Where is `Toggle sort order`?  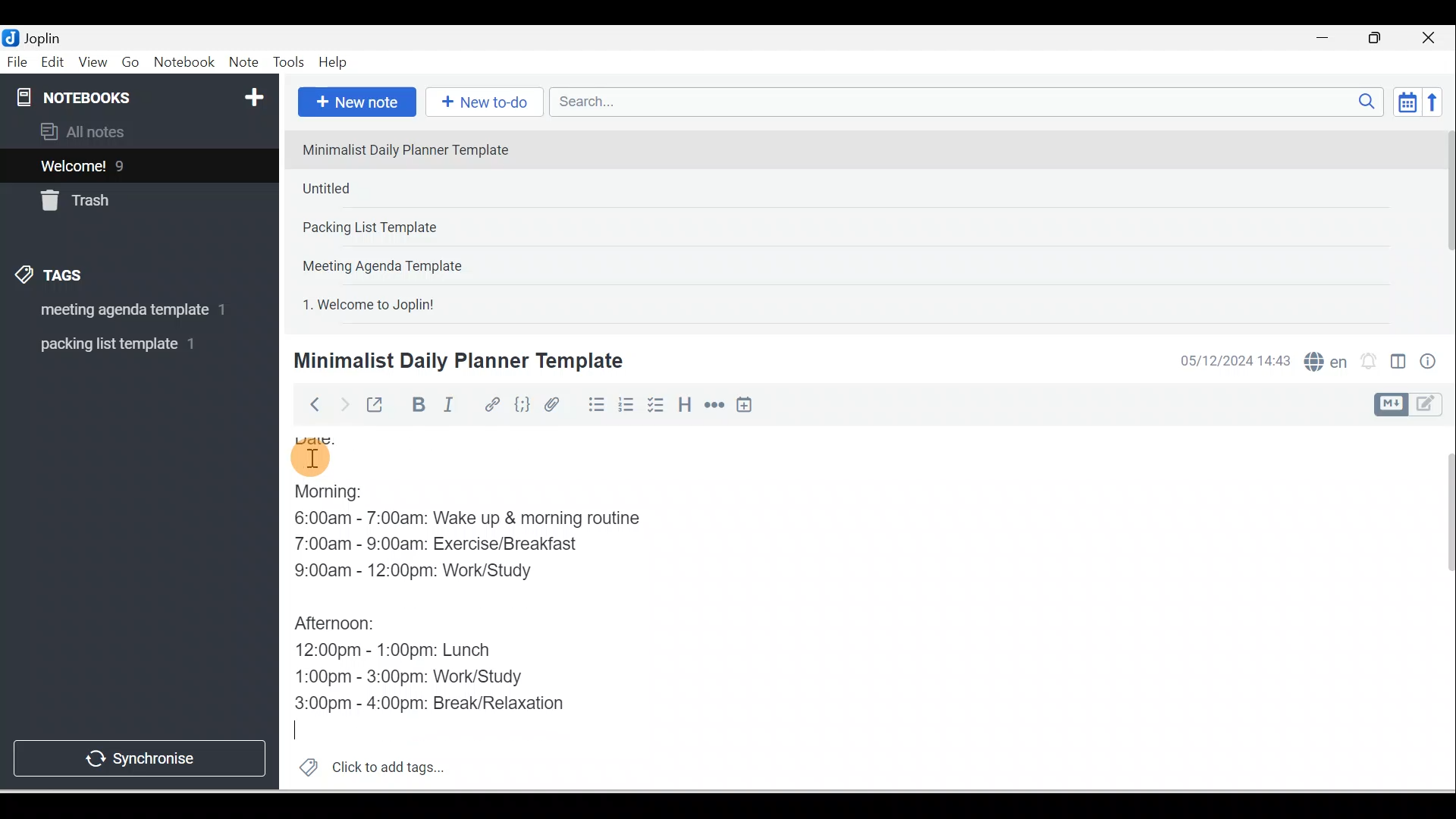
Toggle sort order is located at coordinates (1407, 101).